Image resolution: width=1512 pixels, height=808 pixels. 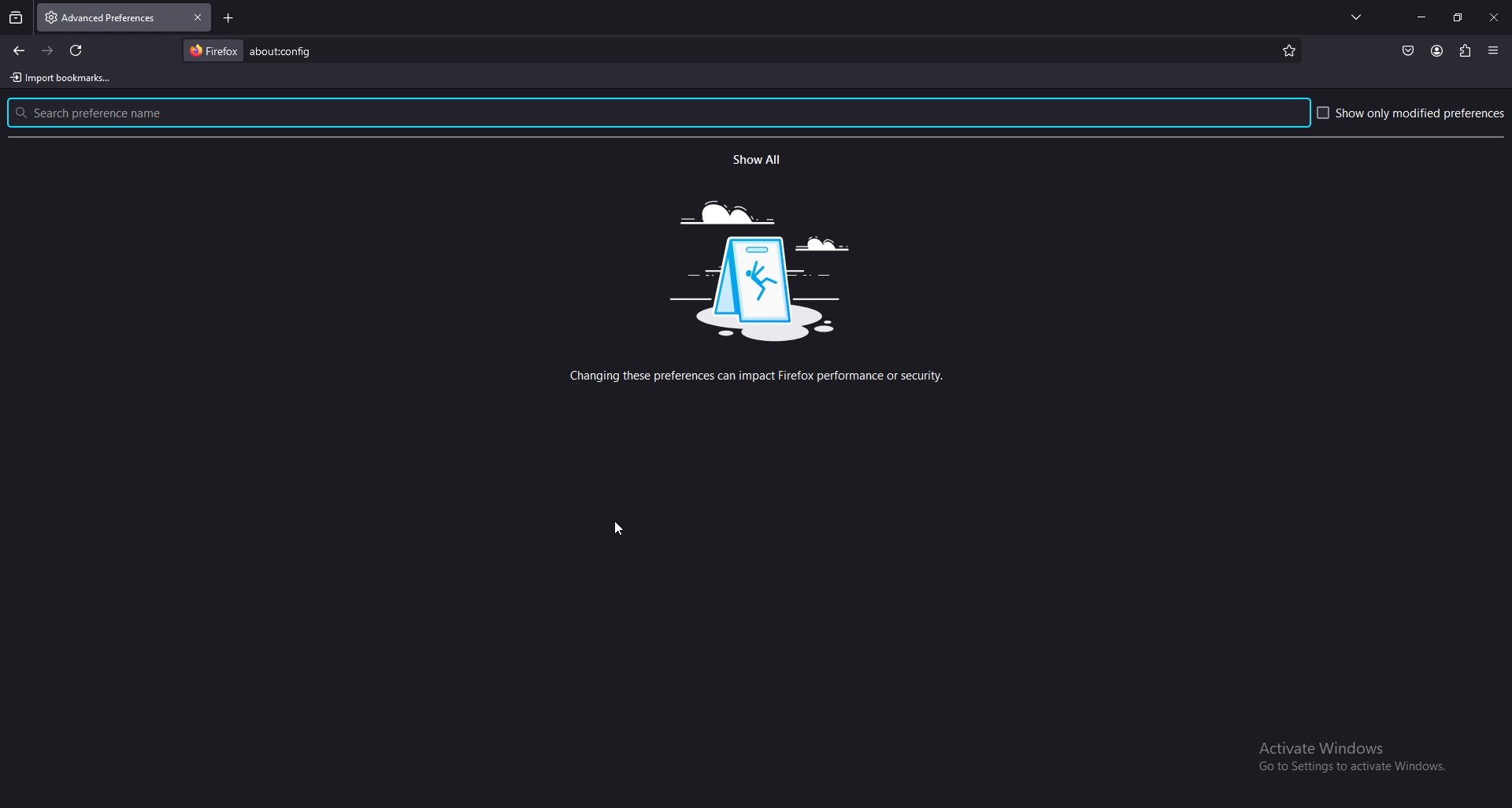 I want to click on cursor, so click(x=632, y=530).